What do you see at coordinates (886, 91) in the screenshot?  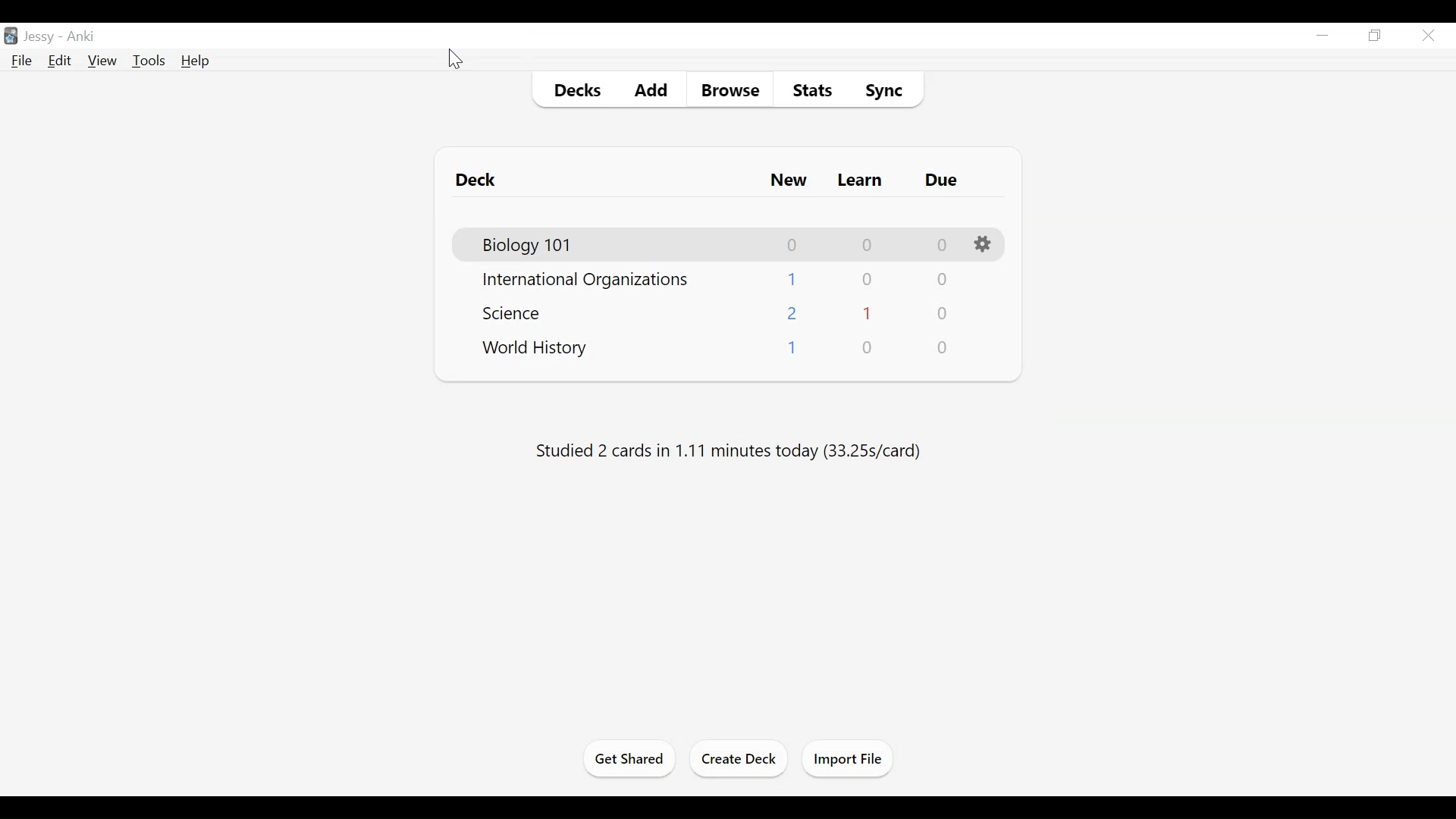 I see `Sync` at bounding box center [886, 91].